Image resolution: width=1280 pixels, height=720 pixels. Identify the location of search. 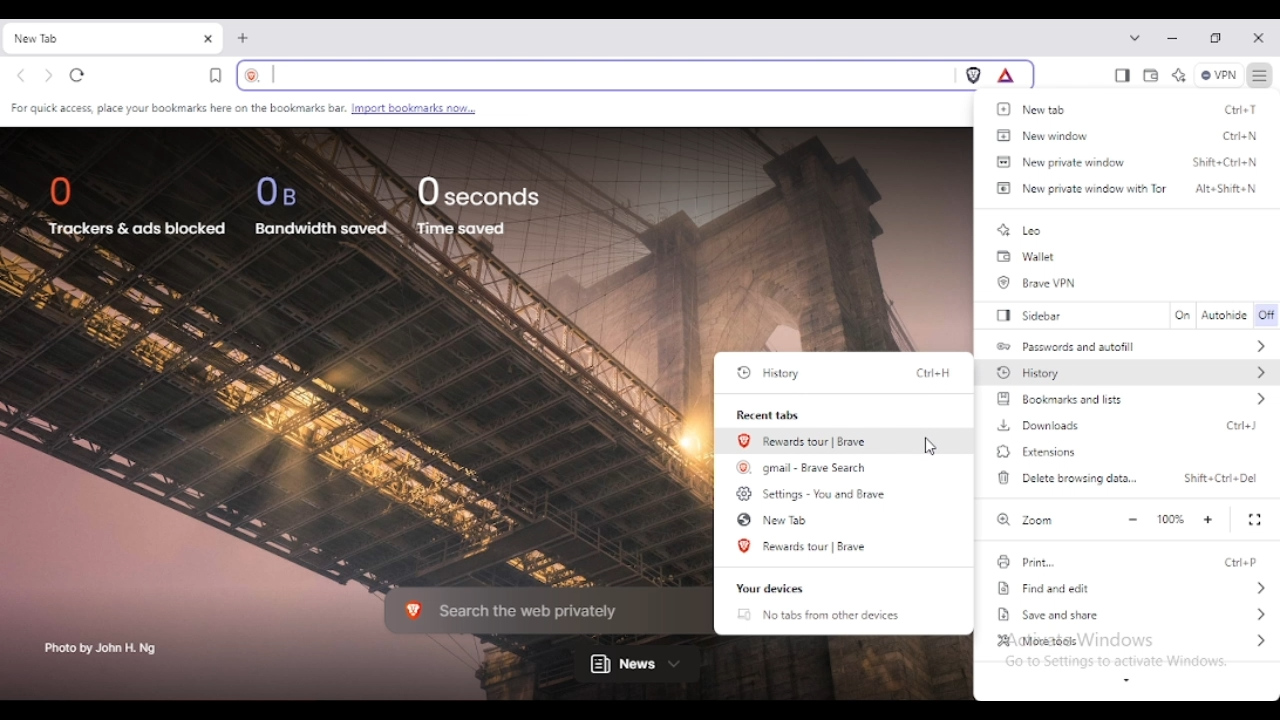
(593, 75).